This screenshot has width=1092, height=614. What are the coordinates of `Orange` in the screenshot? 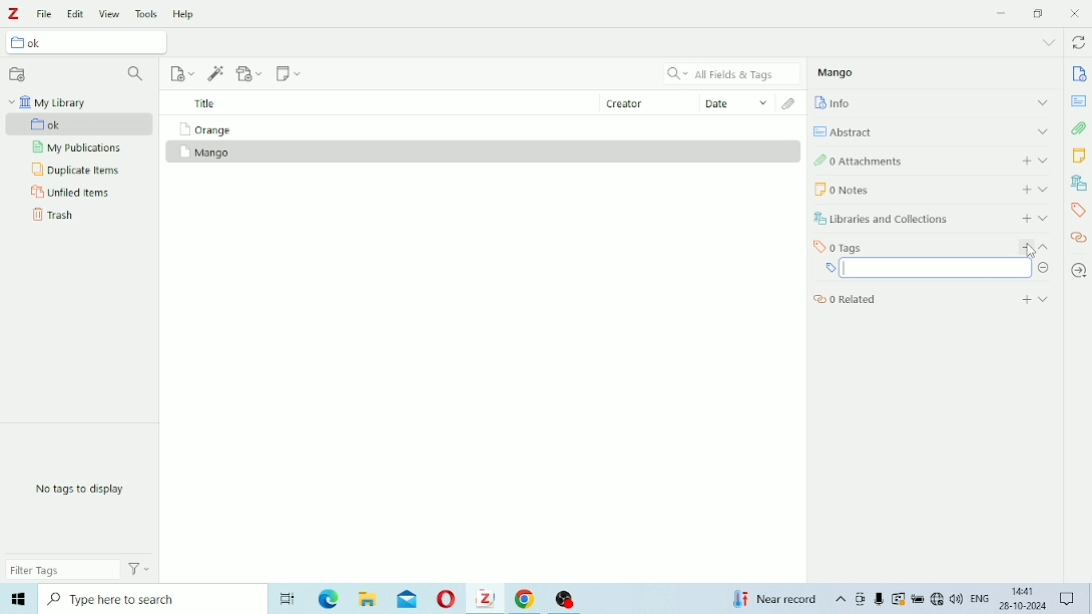 It's located at (203, 129).